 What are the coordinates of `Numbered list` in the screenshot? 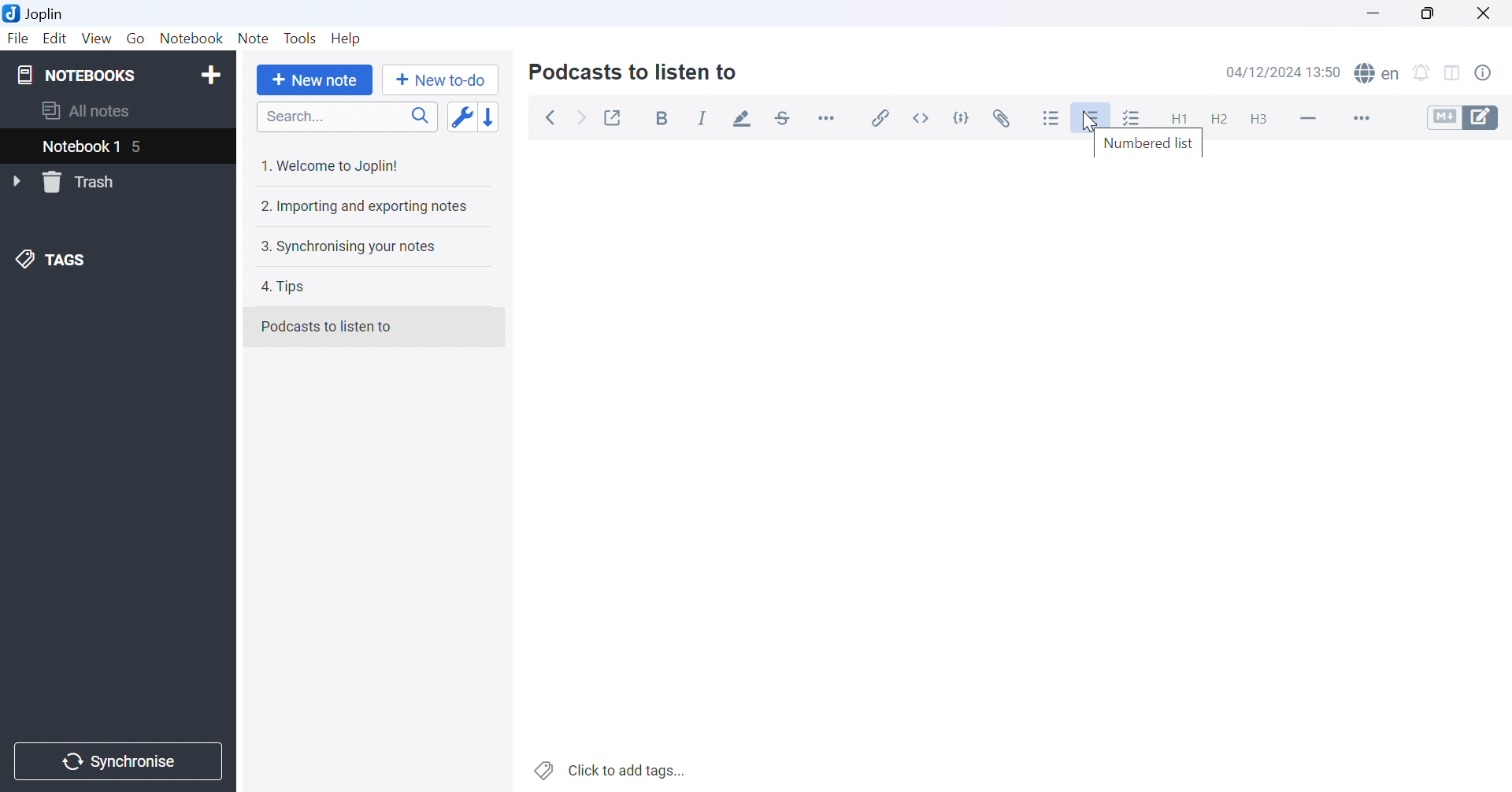 It's located at (1093, 117).